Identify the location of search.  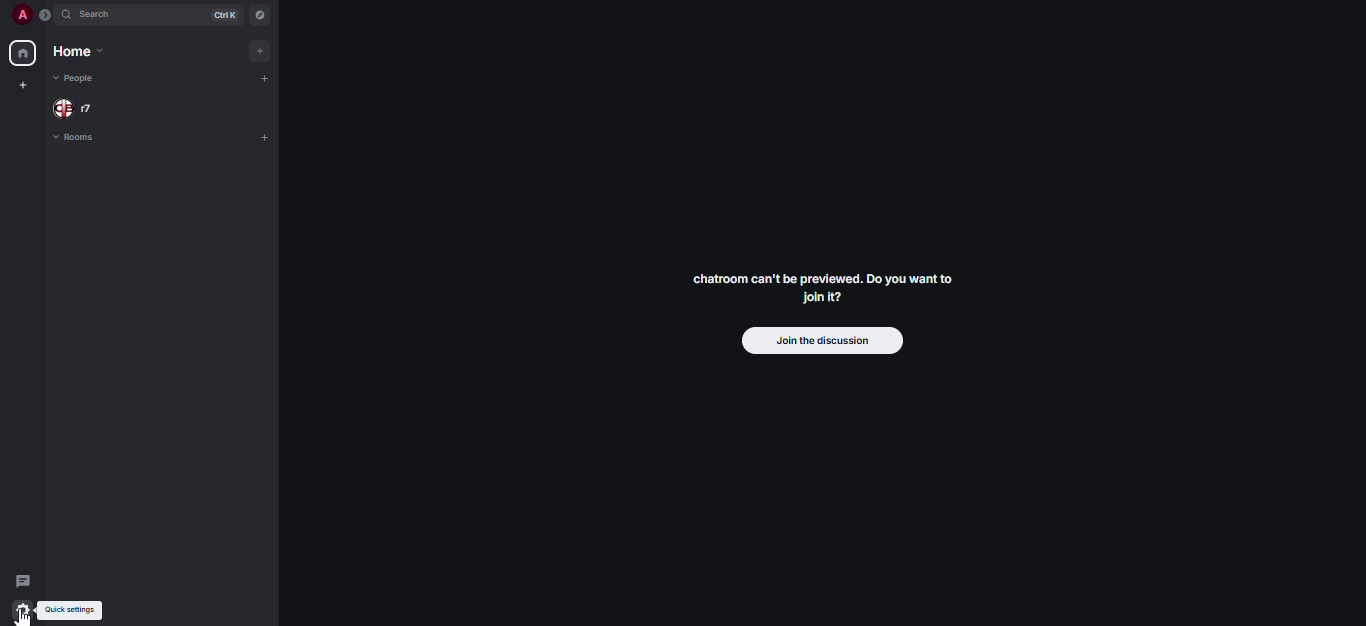
(97, 13).